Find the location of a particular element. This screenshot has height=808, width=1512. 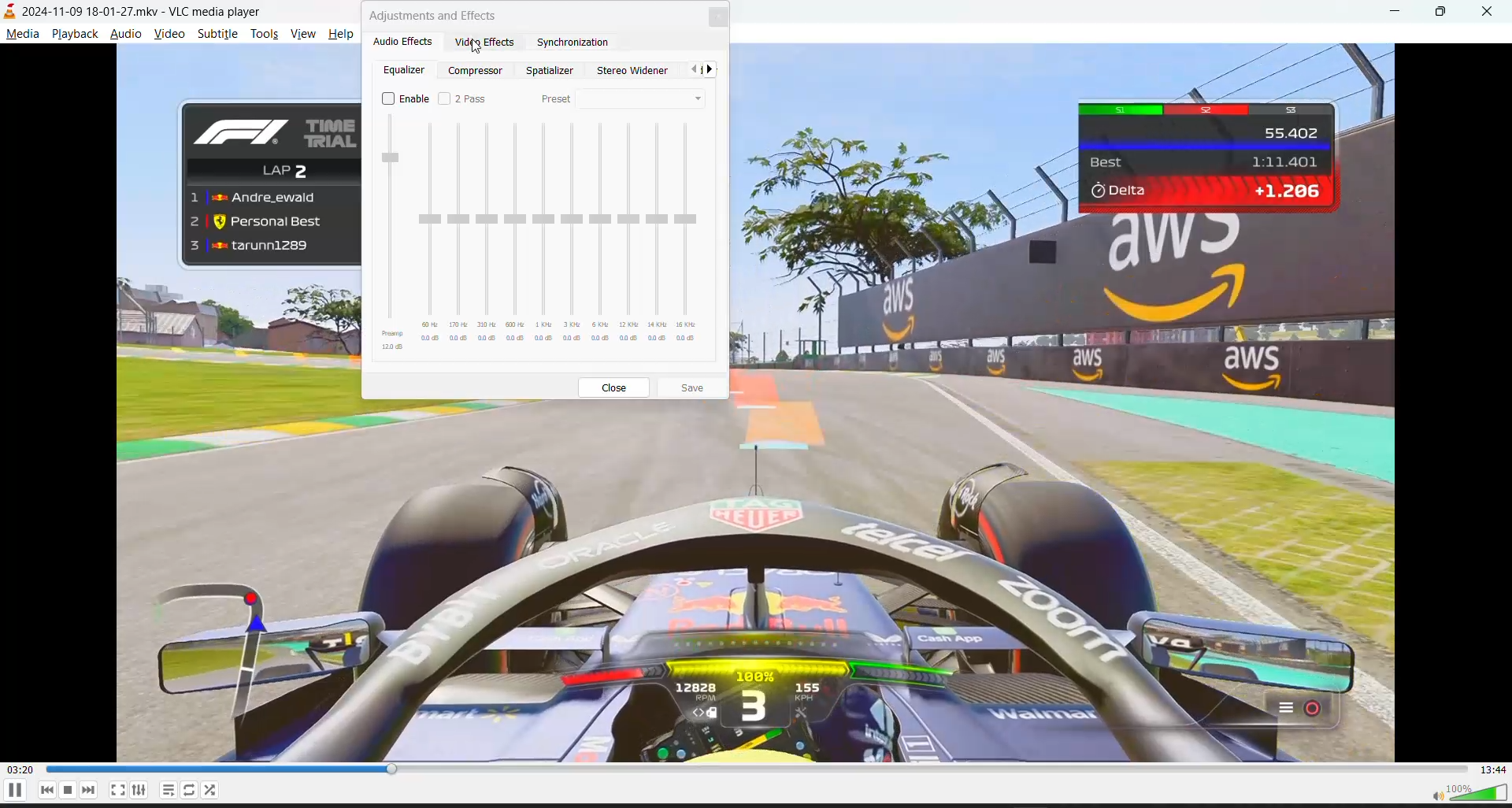

save is located at coordinates (694, 387).